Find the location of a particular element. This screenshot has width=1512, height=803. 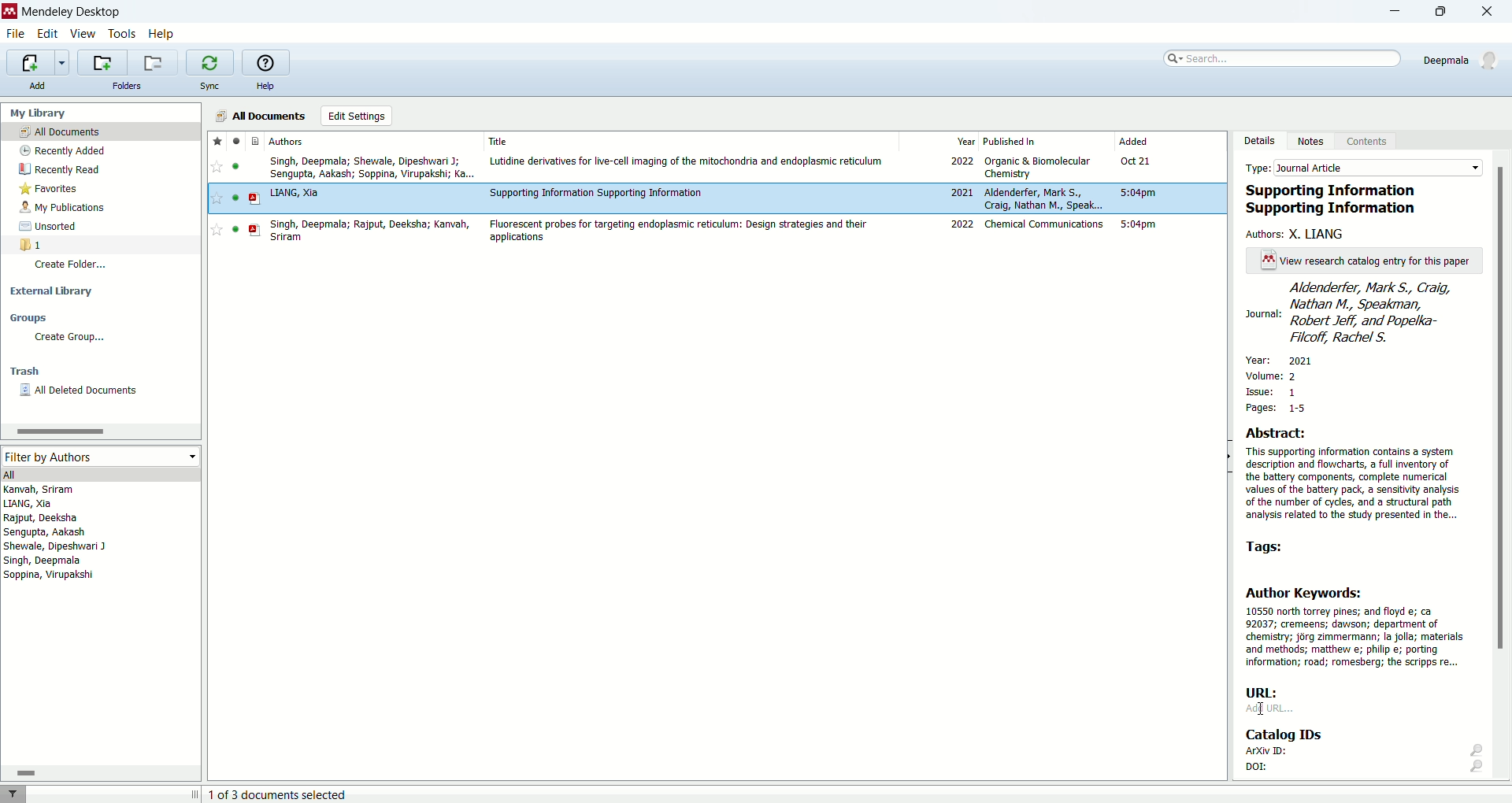

rajput, deeksha is located at coordinates (42, 518).